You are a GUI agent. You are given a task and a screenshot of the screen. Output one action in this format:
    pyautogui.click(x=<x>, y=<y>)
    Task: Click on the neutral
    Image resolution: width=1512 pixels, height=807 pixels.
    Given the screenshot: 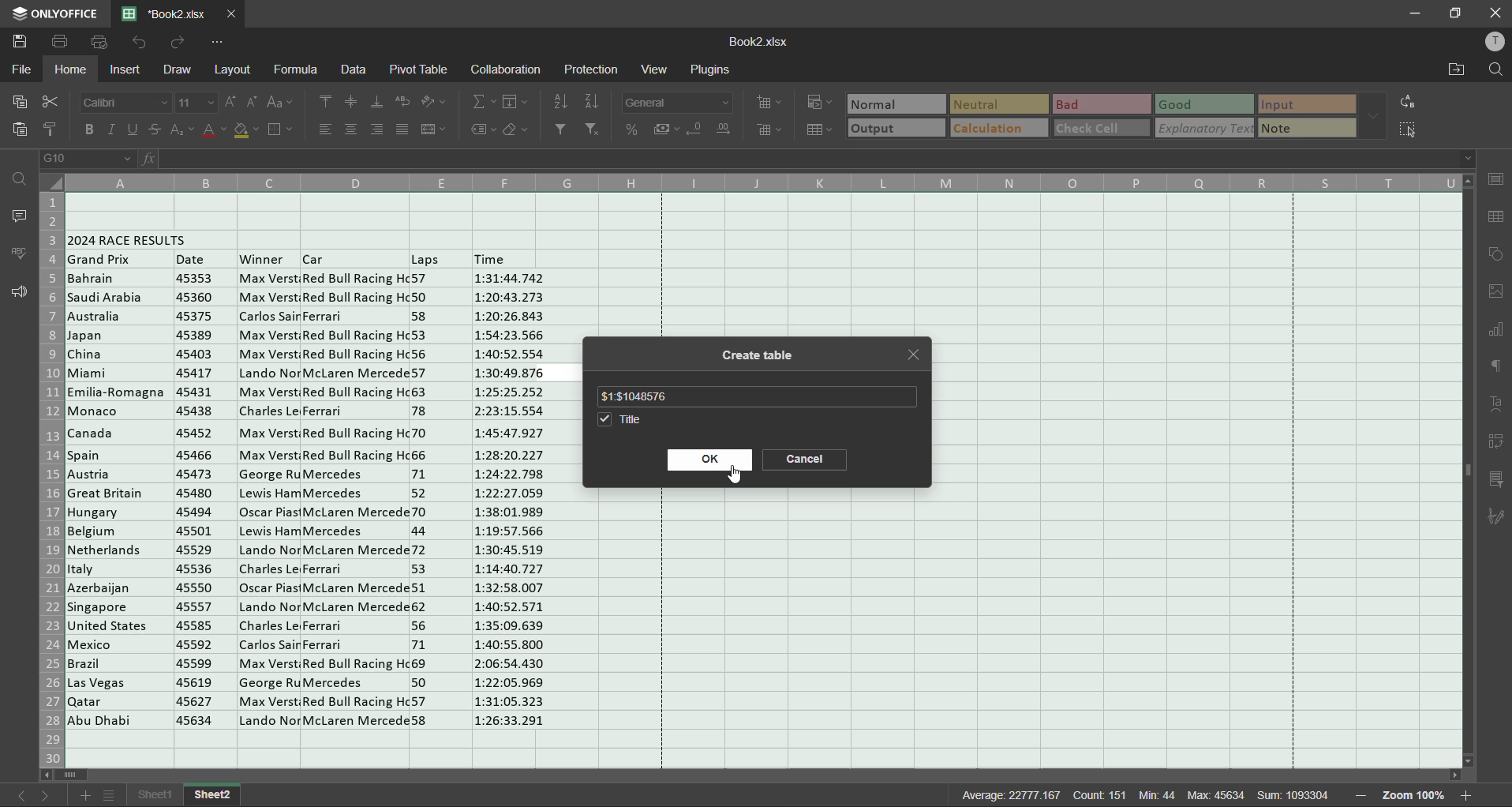 What is the action you would take?
    pyautogui.click(x=997, y=105)
    